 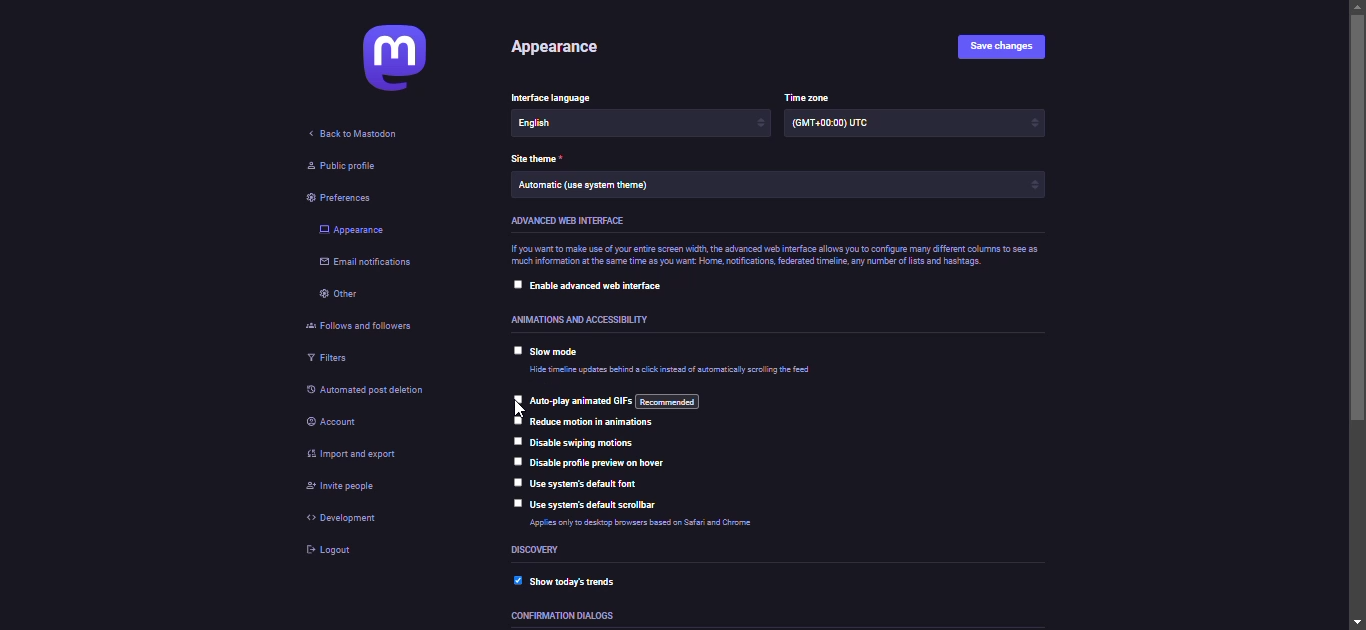 I want to click on cursor, so click(x=515, y=409).